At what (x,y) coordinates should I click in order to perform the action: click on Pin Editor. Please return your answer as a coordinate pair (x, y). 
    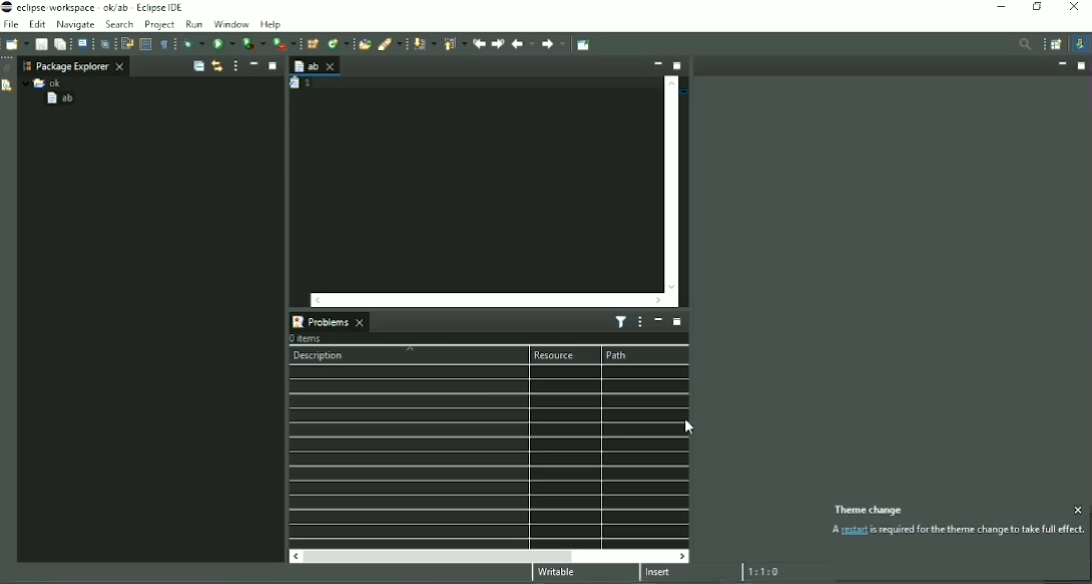
    Looking at the image, I should click on (585, 44).